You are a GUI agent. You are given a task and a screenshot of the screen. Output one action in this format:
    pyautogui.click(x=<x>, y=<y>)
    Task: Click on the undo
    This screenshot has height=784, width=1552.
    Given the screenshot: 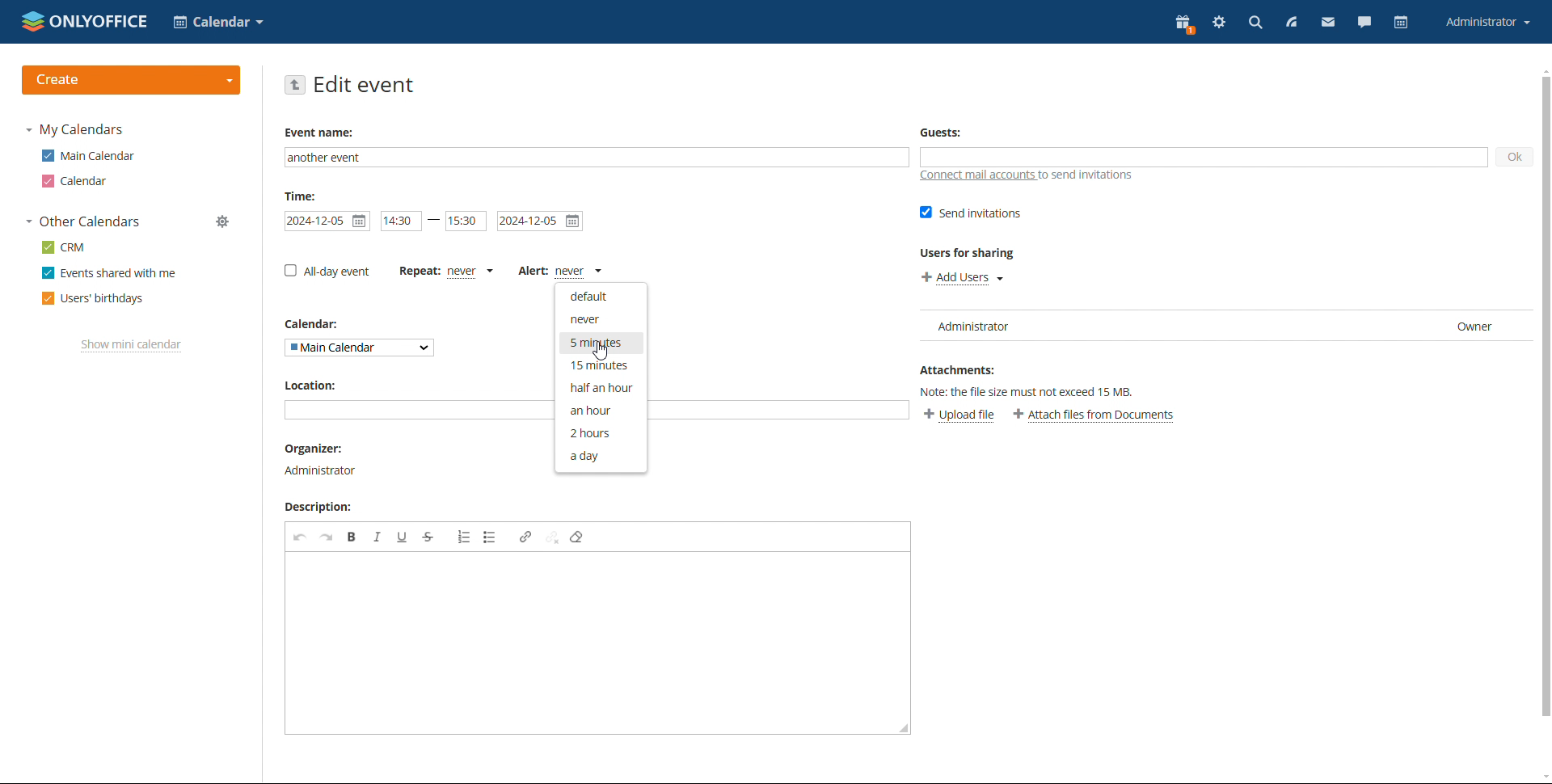 What is the action you would take?
    pyautogui.click(x=301, y=537)
    